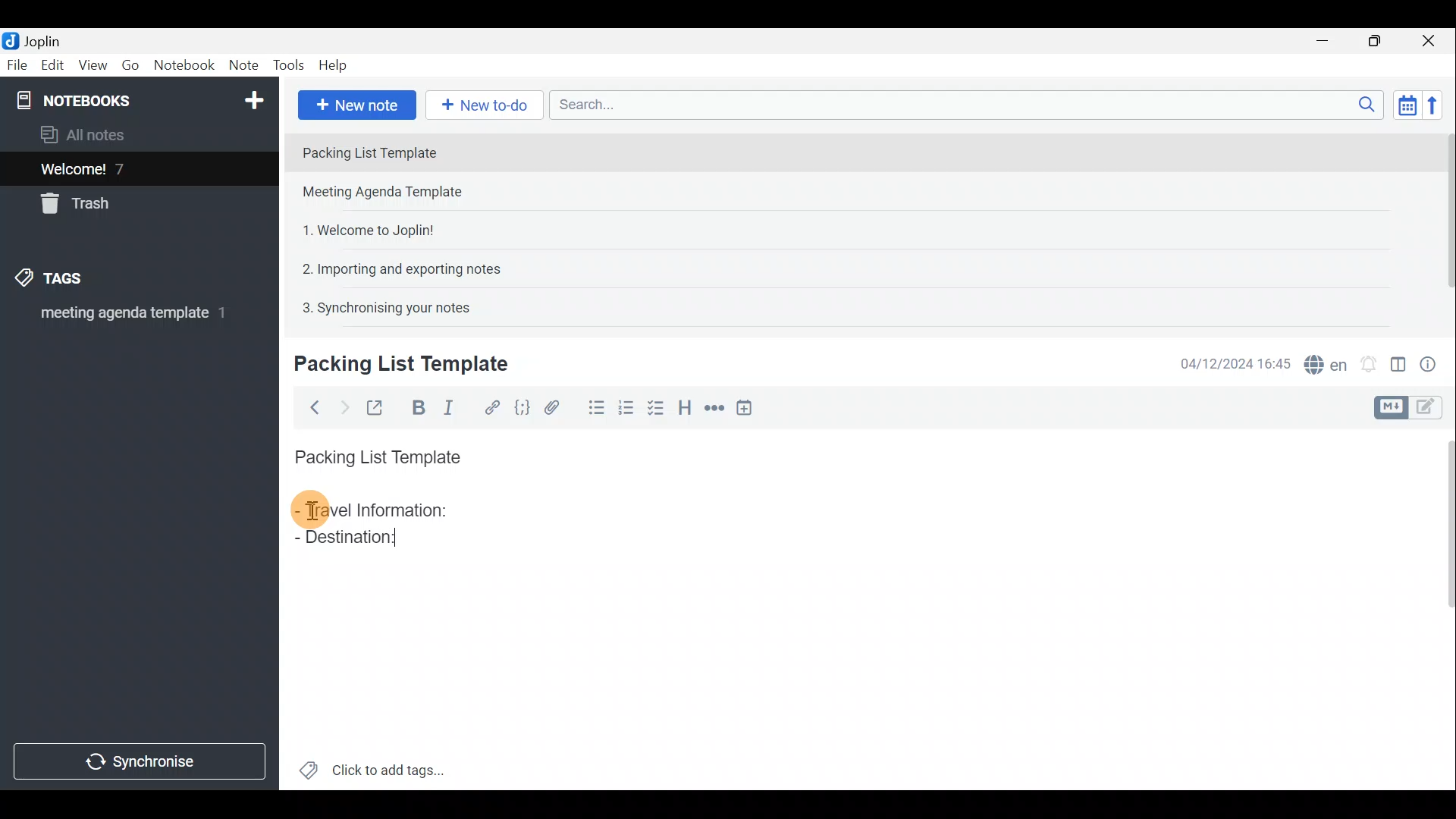  Describe the element at coordinates (356, 103) in the screenshot. I see `New note` at that location.